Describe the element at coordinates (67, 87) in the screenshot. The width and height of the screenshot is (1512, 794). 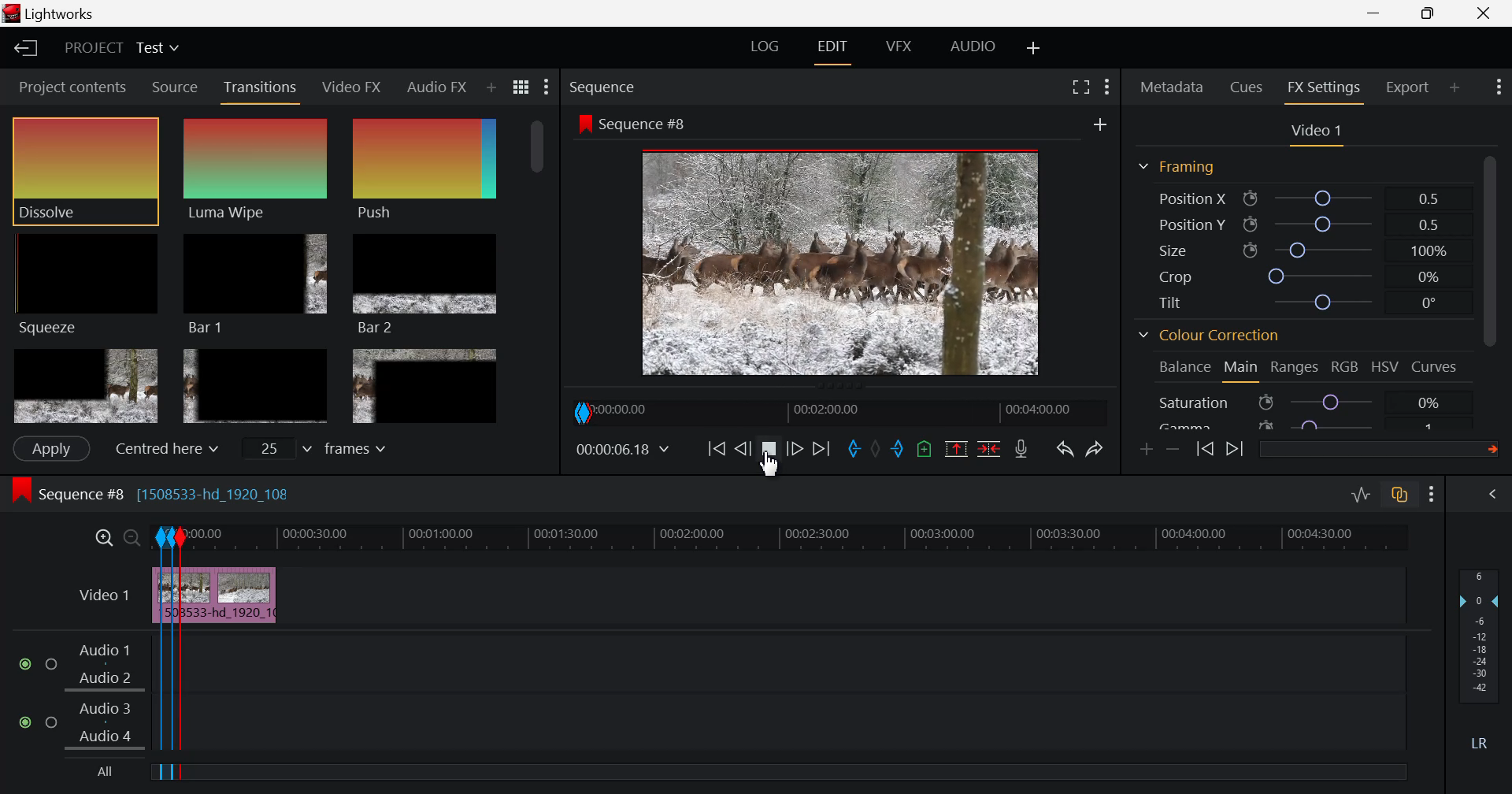
I see `Project contents` at that location.